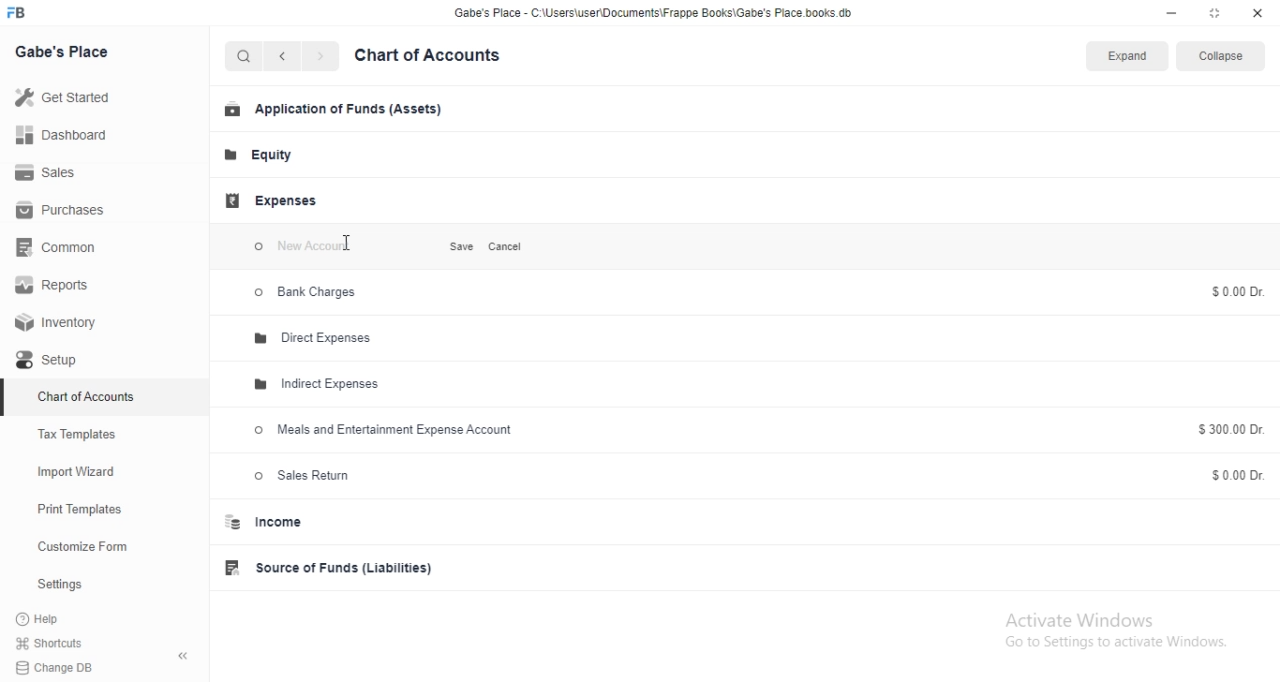  What do you see at coordinates (1236, 430) in the screenshot?
I see `$300.00 Dr.` at bounding box center [1236, 430].